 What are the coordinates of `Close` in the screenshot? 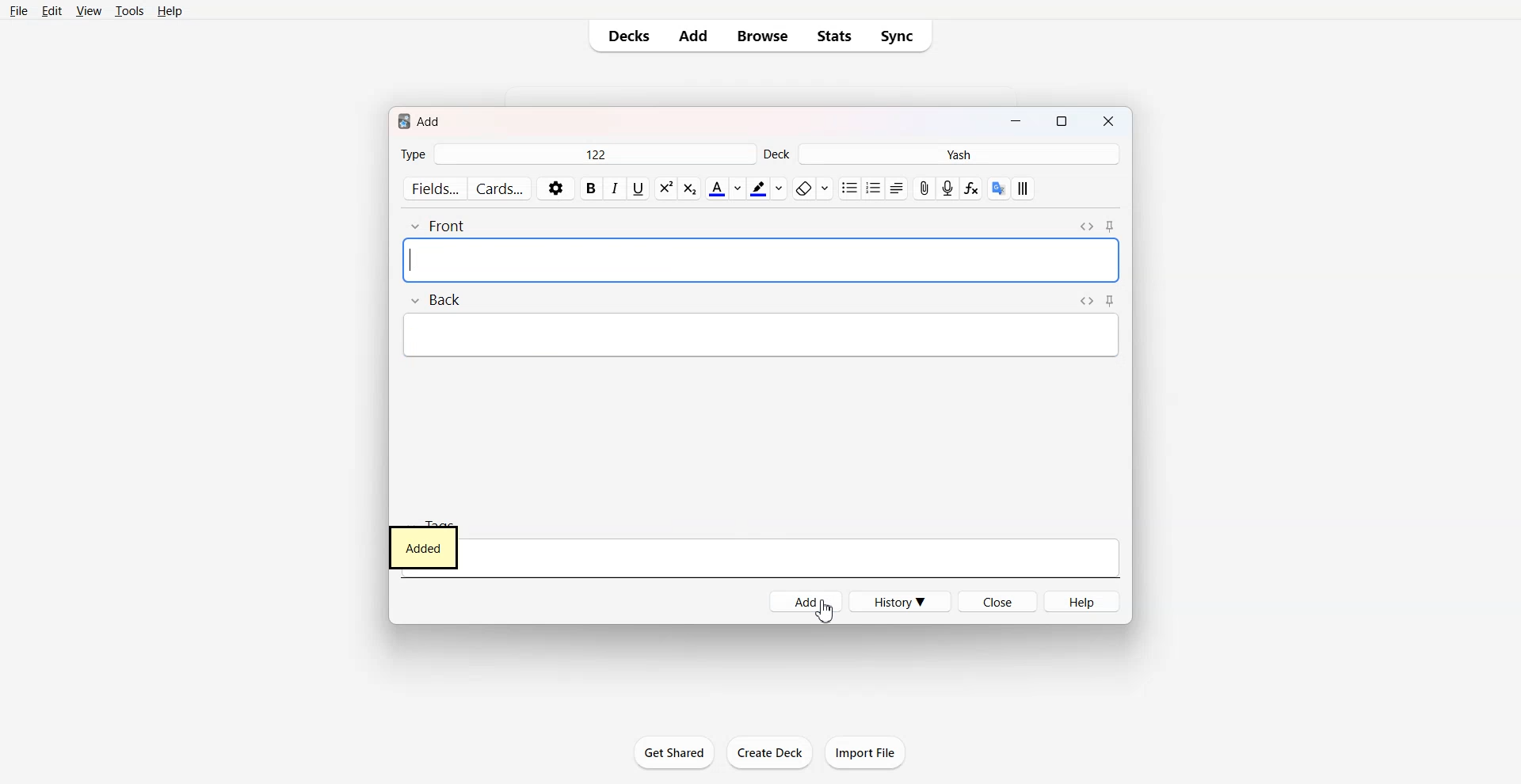 It's located at (997, 601).